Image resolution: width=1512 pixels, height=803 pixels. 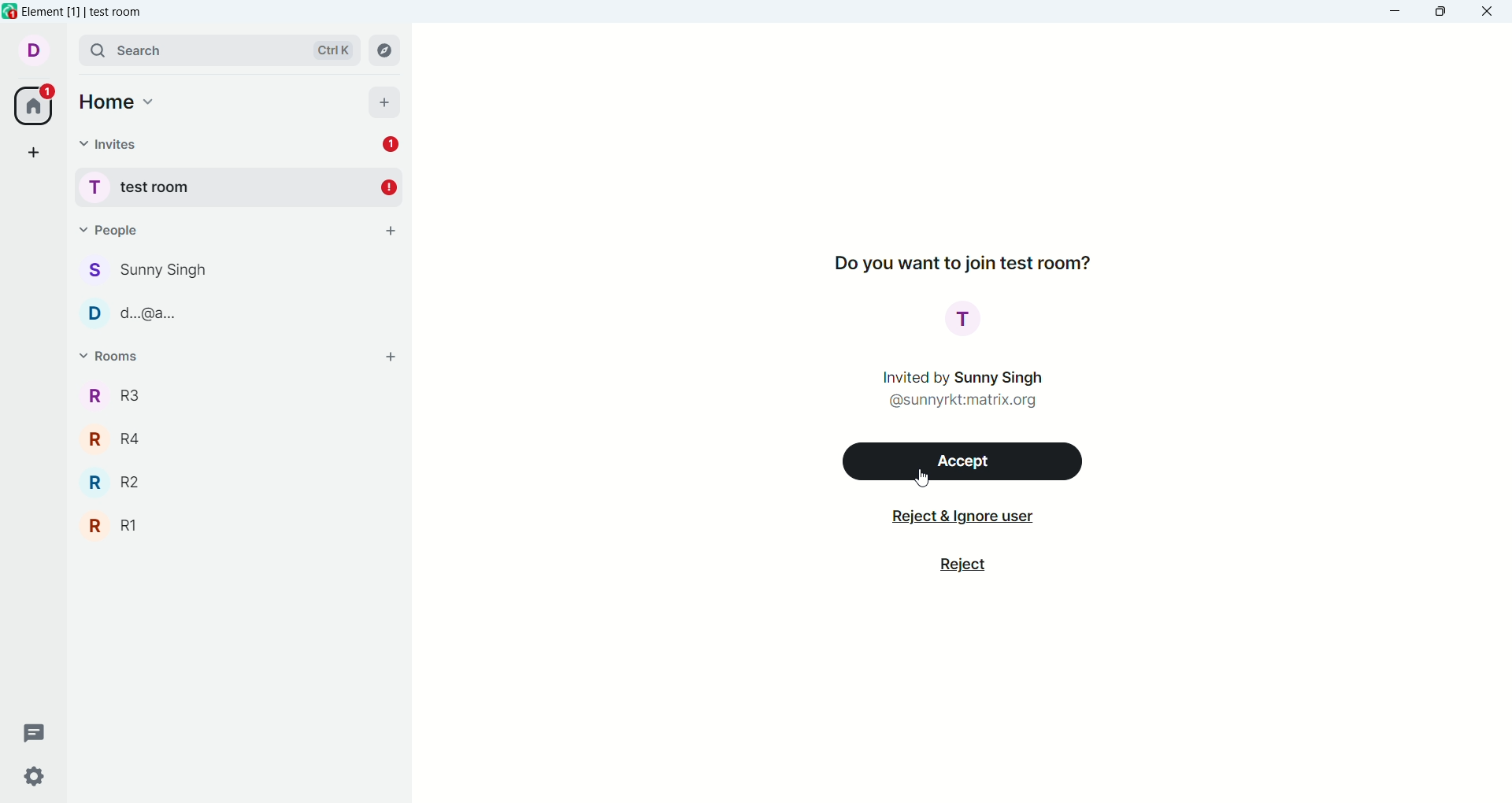 What do you see at coordinates (396, 145) in the screenshot?
I see `1 invite` at bounding box center [396, 145].